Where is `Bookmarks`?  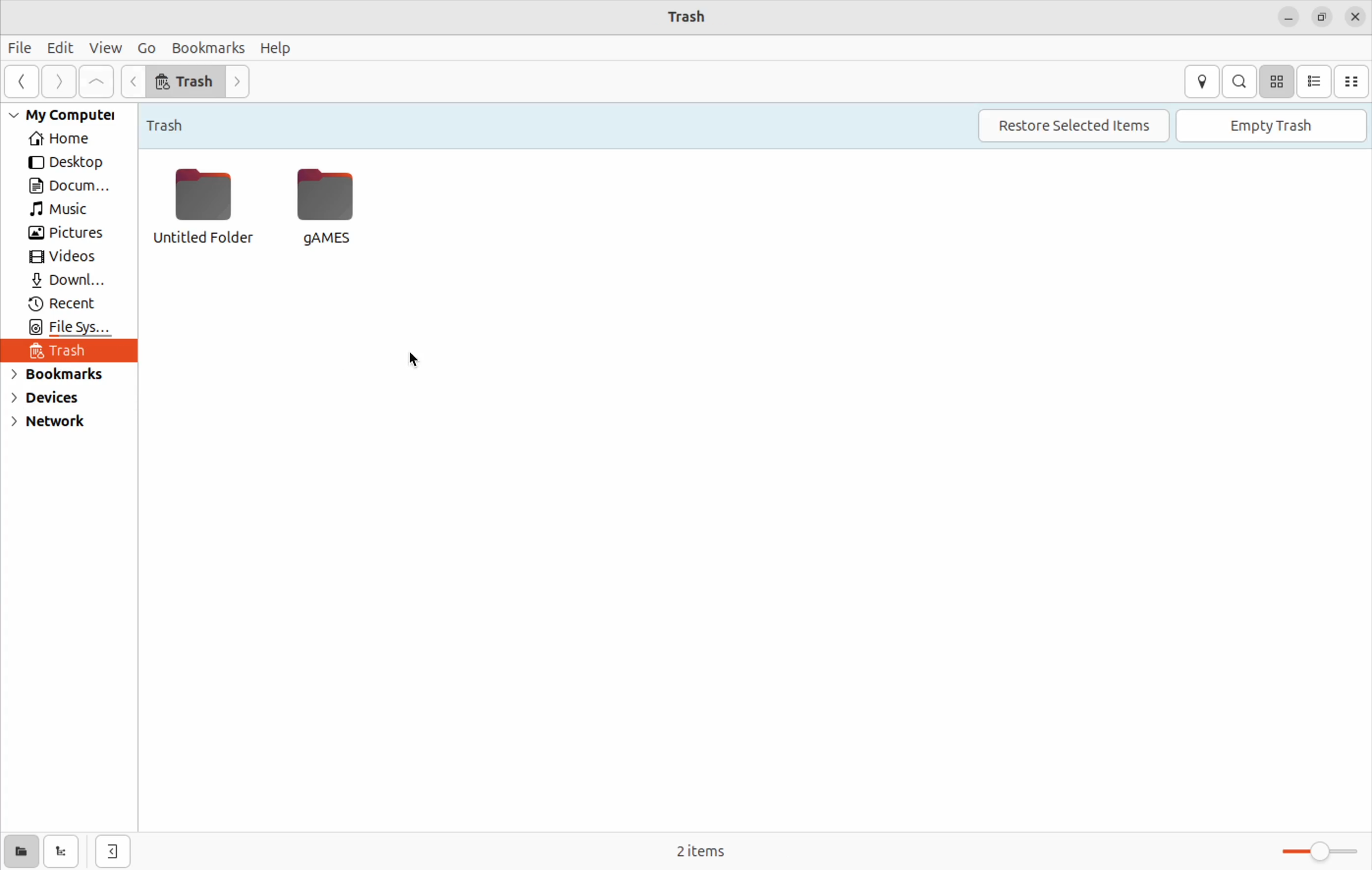 Bookmarks is located at coordinates (208, 48).